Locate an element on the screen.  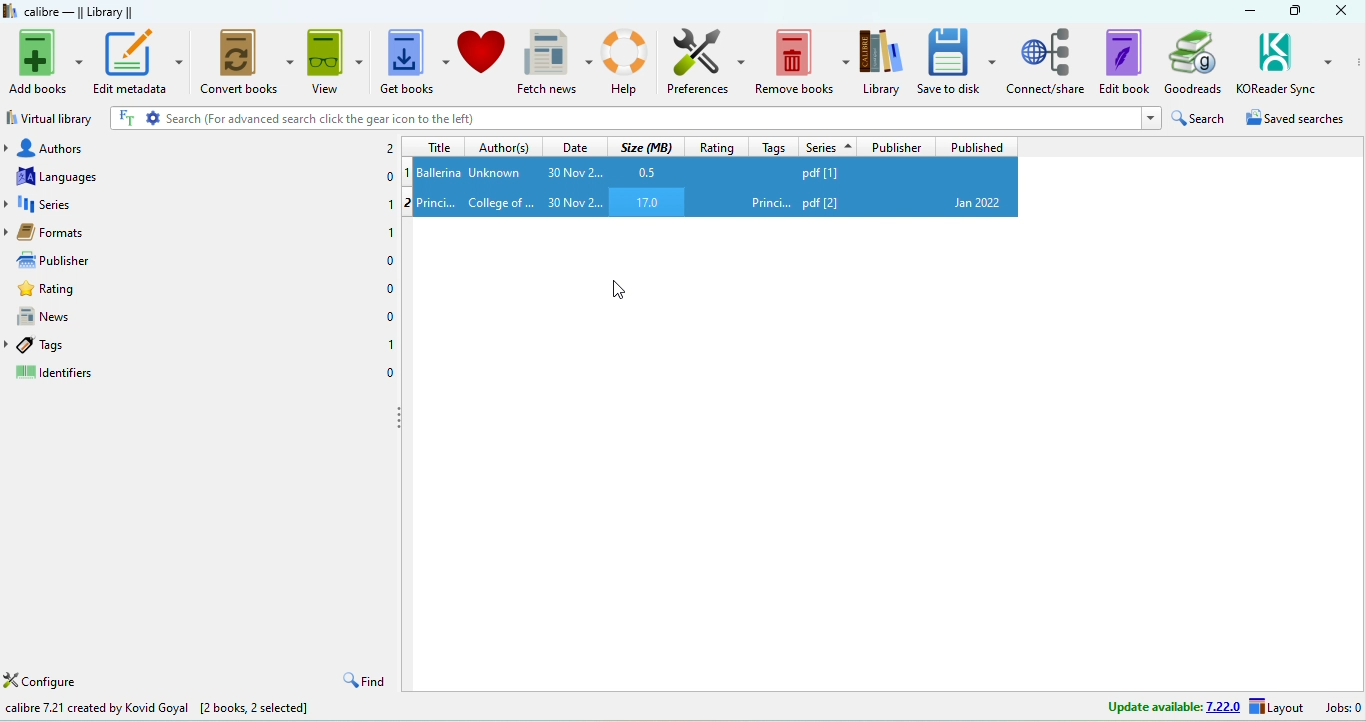
jobs:0 is located at coordinates (1345, 705).